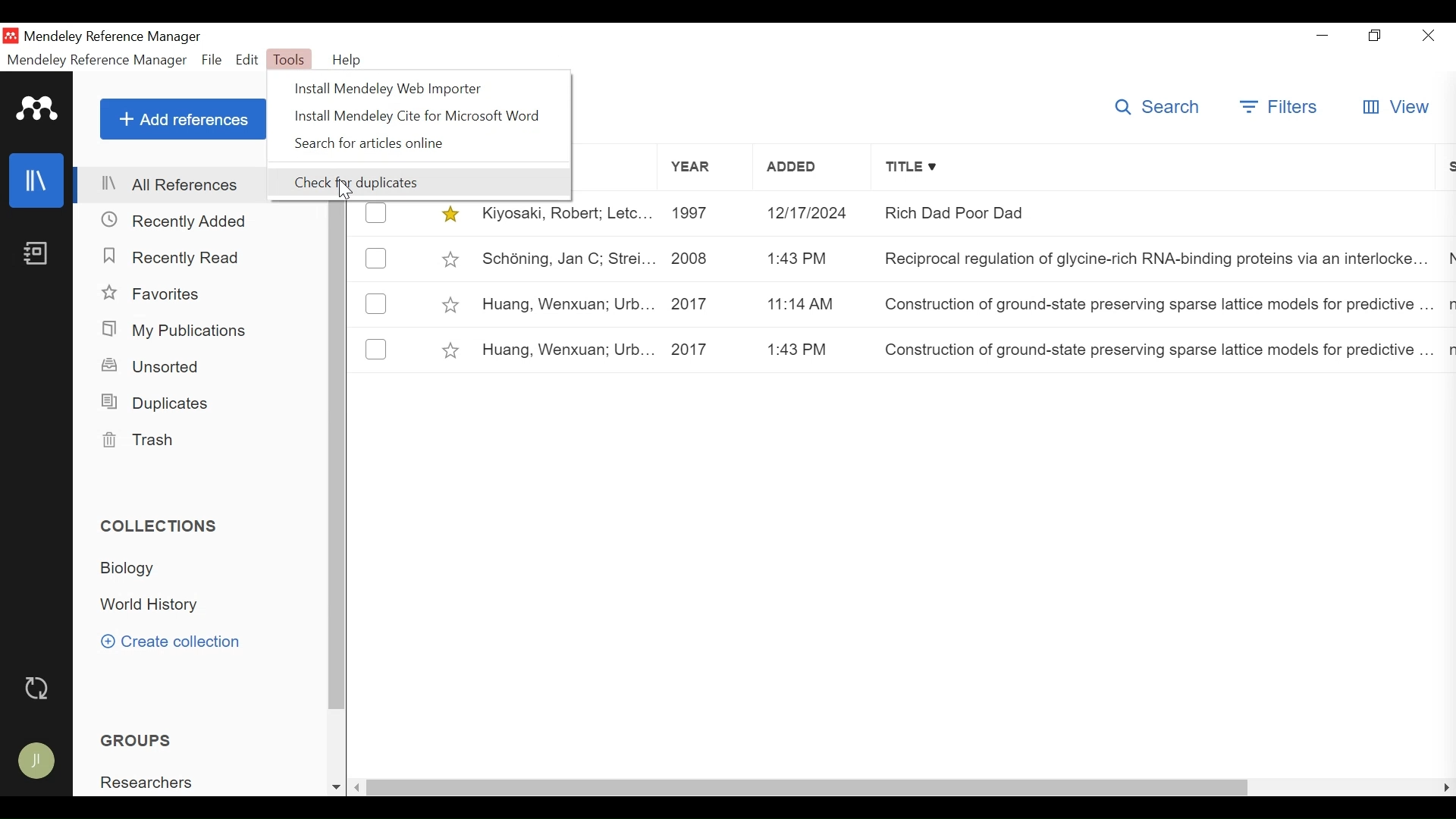  I want to click on Mendeley Reference Manager, so click(117, 37).